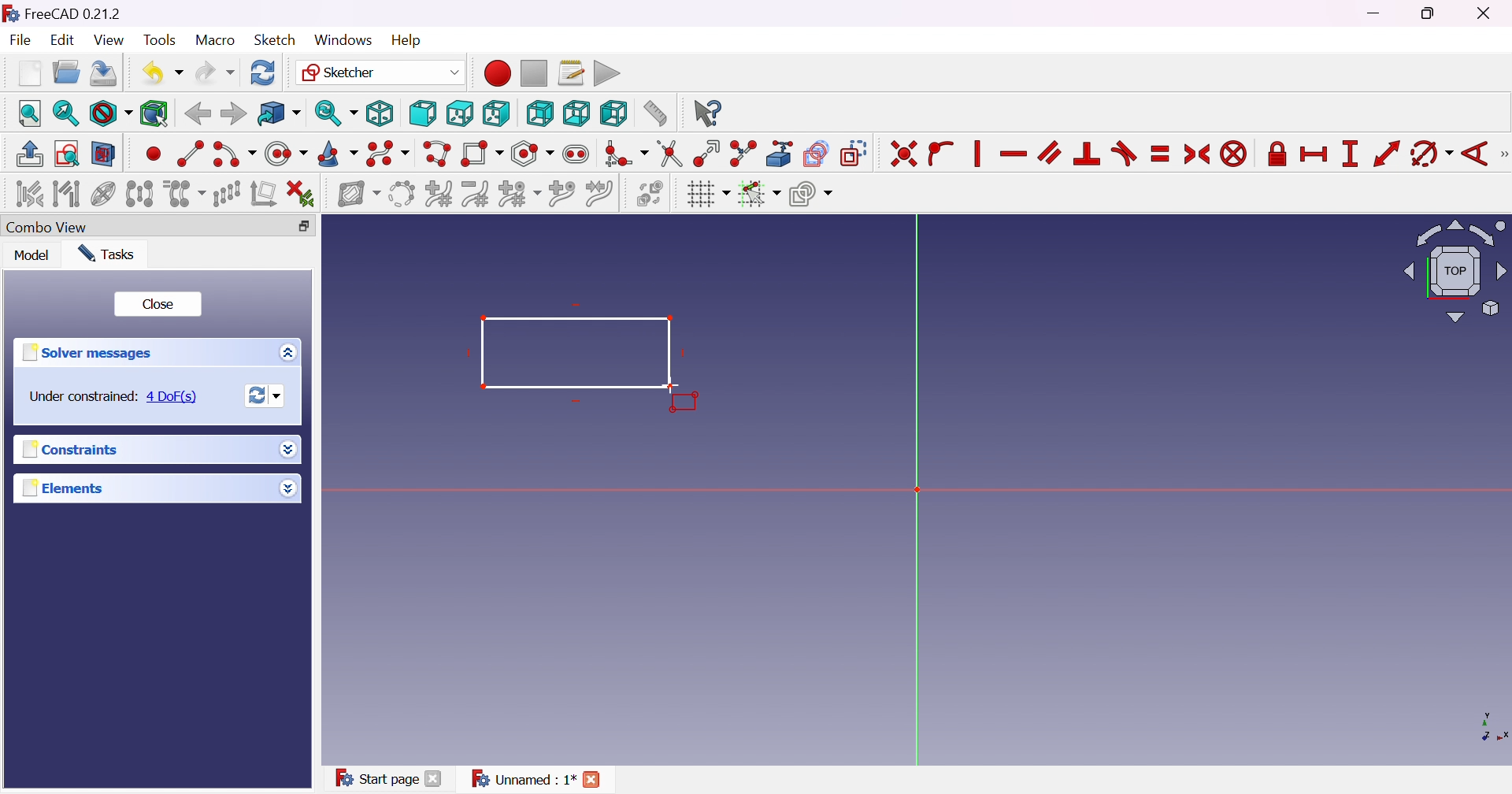 This screenshot has height=794, width=1512. What do you see at coordinates (576, 113) in the screenshot?
I see `Bottom` at bounding box center [576, 113].